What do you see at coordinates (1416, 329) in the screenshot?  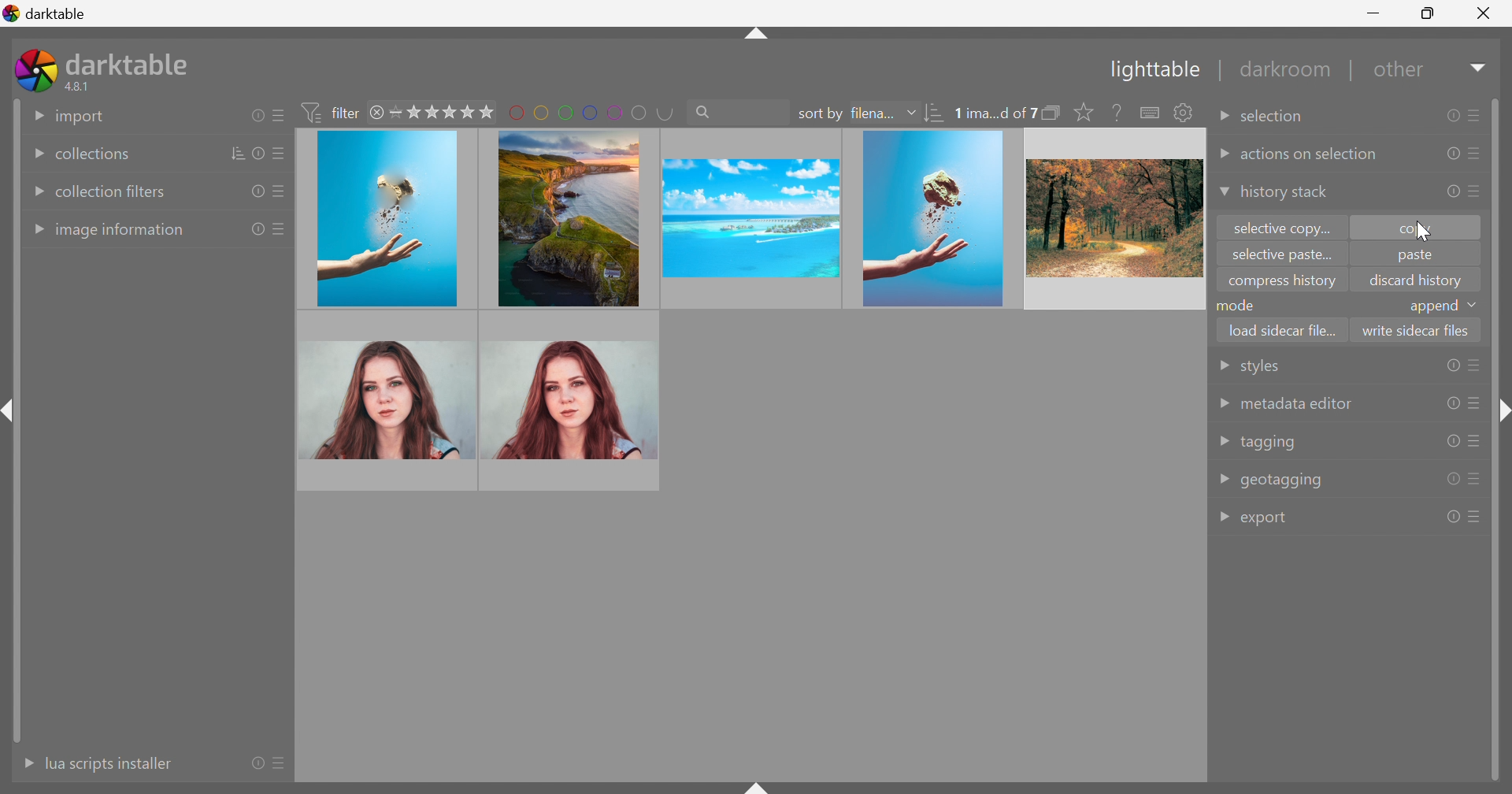 I see `write sidecar files` at bounding box center [1416, 329].